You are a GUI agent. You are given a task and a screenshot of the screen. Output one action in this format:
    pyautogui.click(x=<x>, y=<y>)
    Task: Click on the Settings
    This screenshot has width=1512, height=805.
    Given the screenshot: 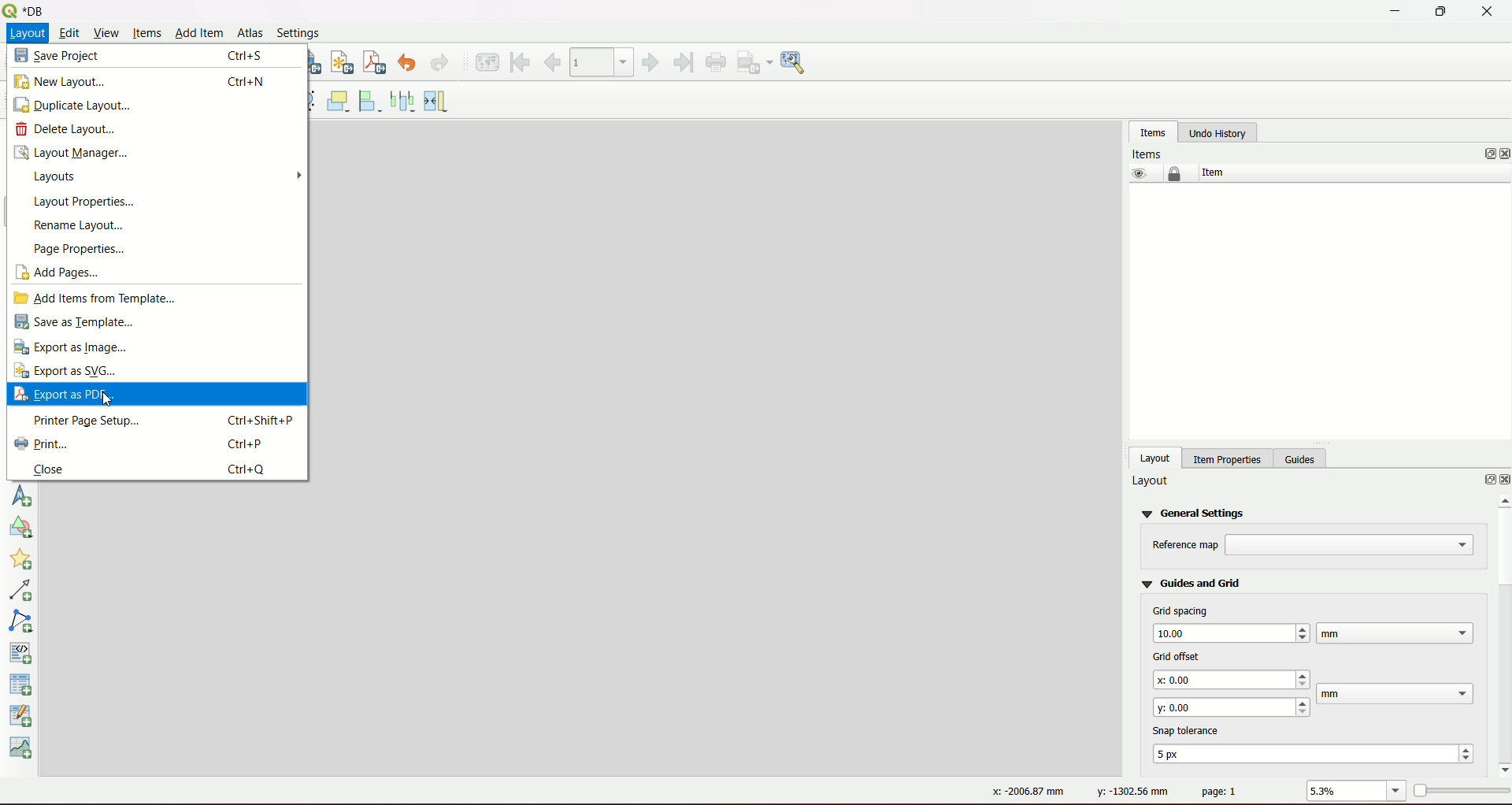 What is the action you would take?
    pyautogui.click(x=301, y=32)
    